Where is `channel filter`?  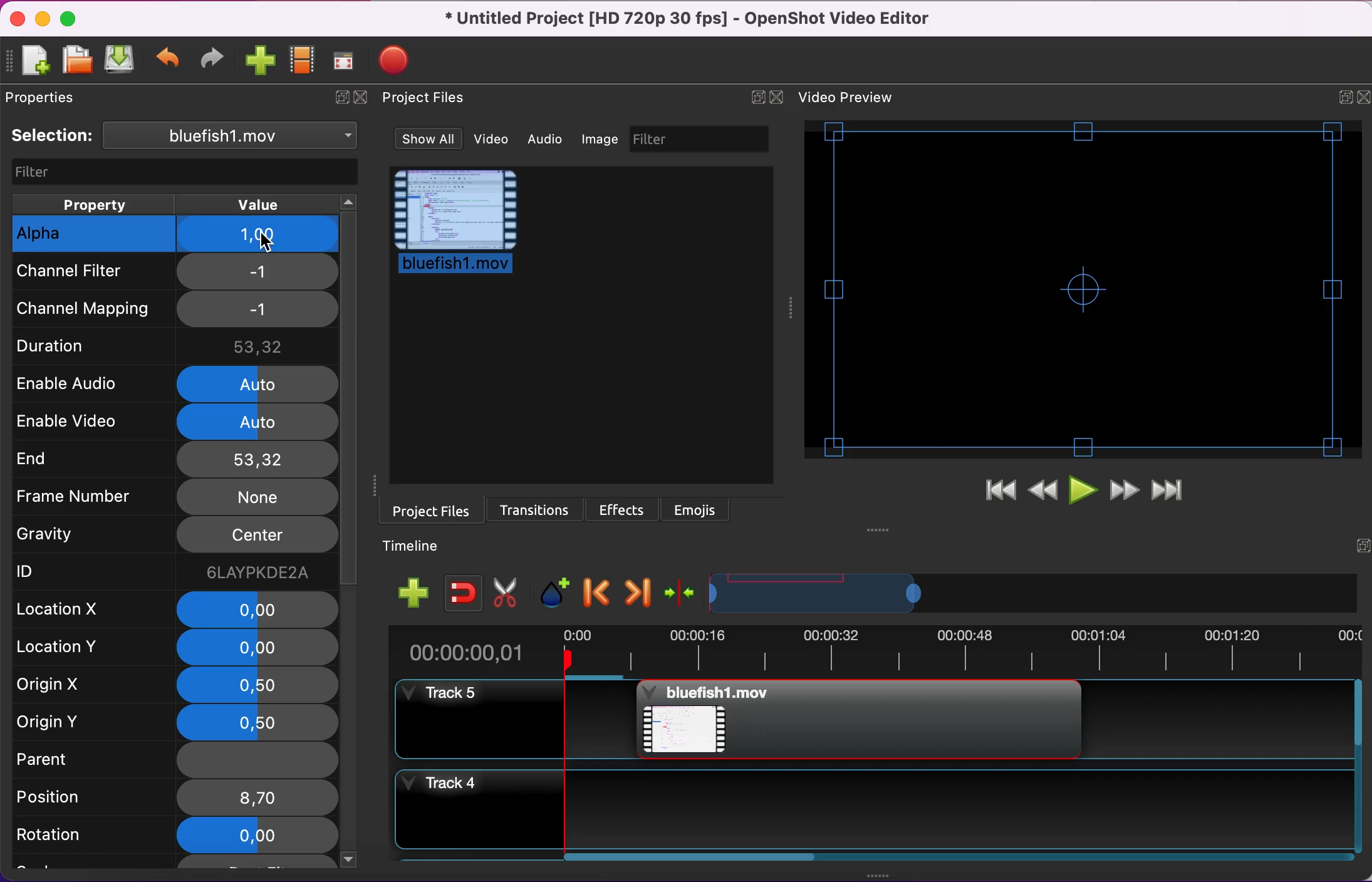
channel filter is located at coordinates (93, 276).